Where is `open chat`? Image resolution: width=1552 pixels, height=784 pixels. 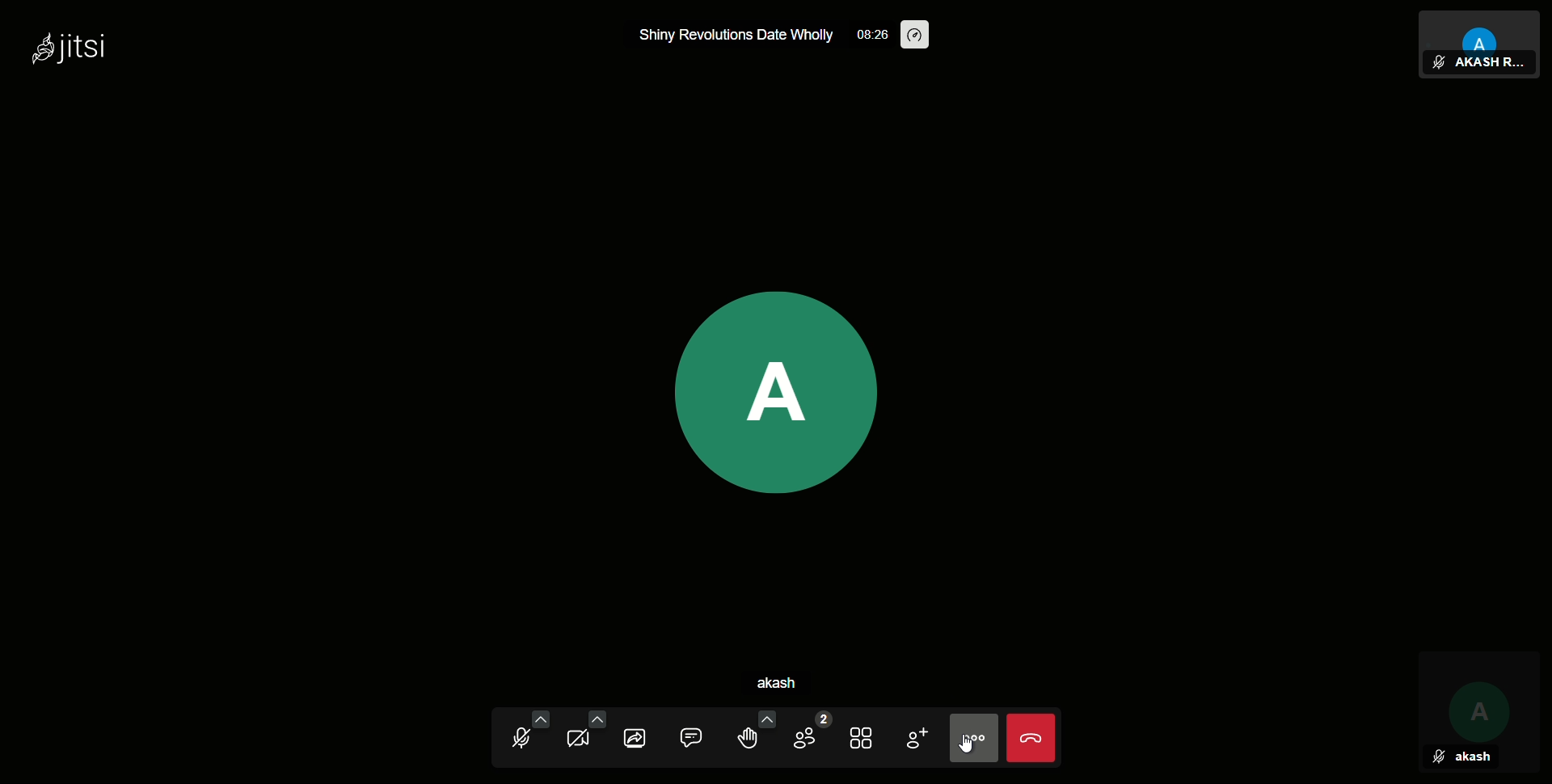
open chat is located at coordinates (700, 736).